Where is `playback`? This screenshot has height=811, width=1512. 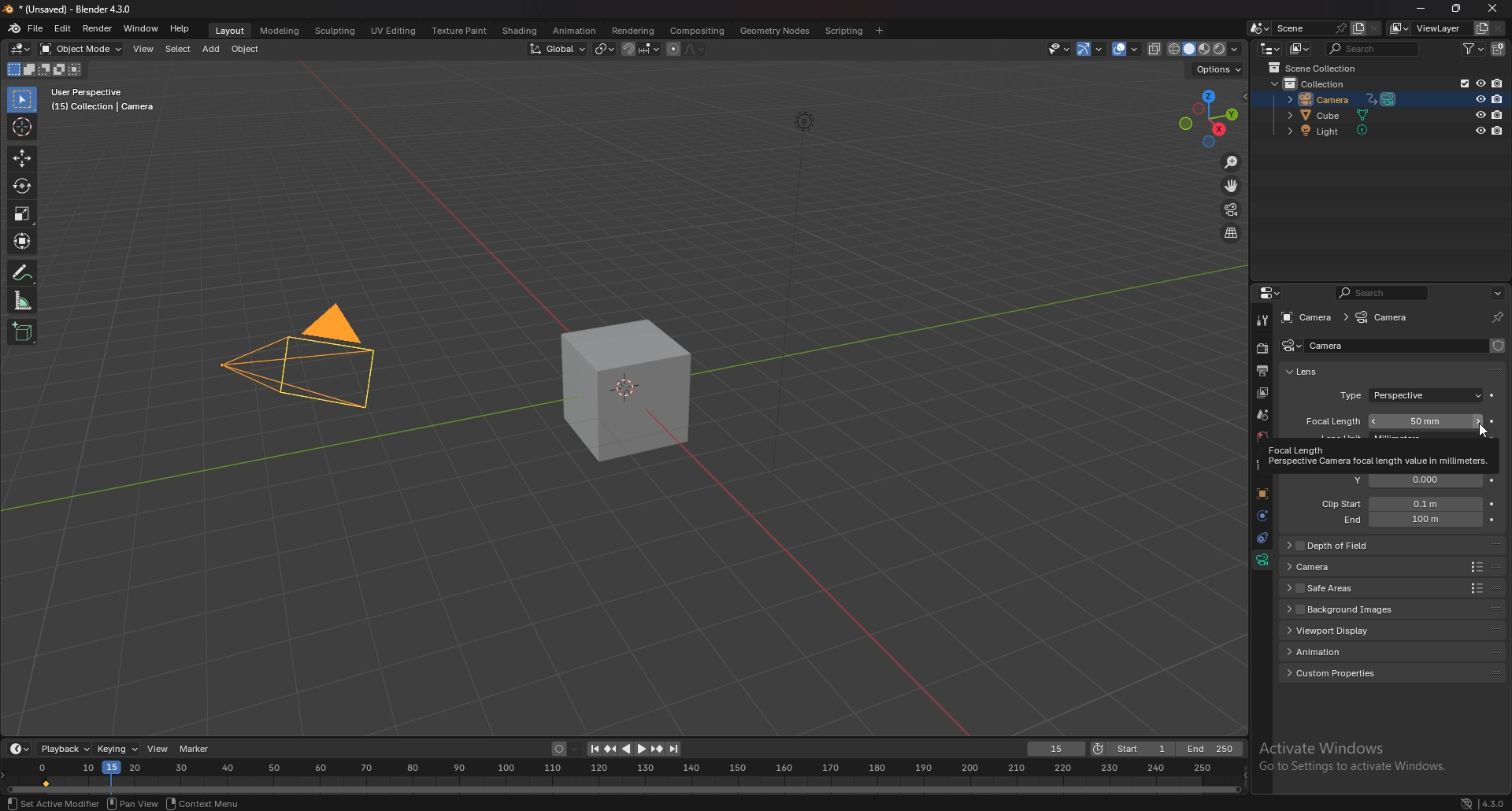 playback is located at coordinates (64, 749).